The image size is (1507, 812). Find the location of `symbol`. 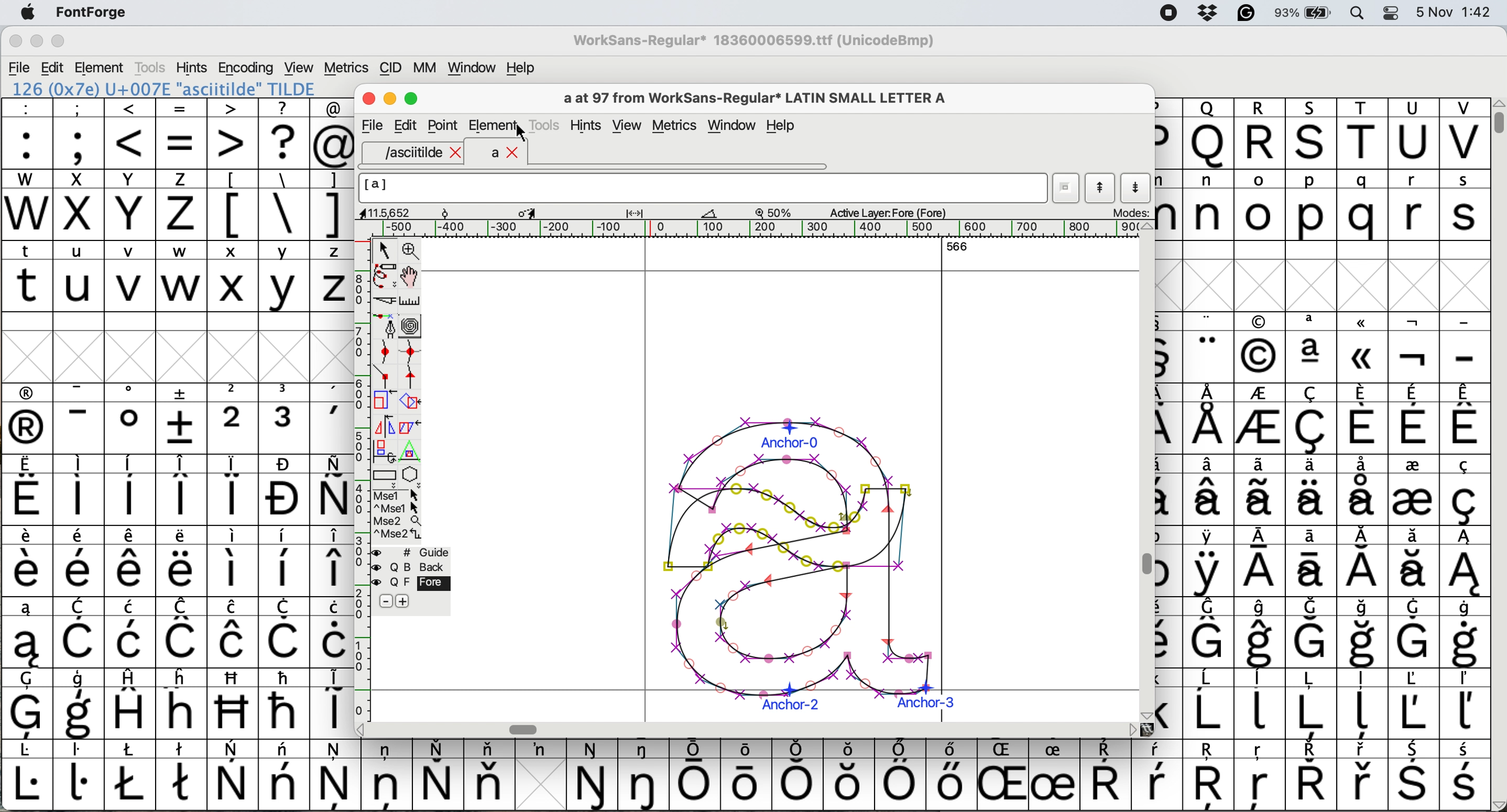

symbol is located at coordinates (1105, 776).